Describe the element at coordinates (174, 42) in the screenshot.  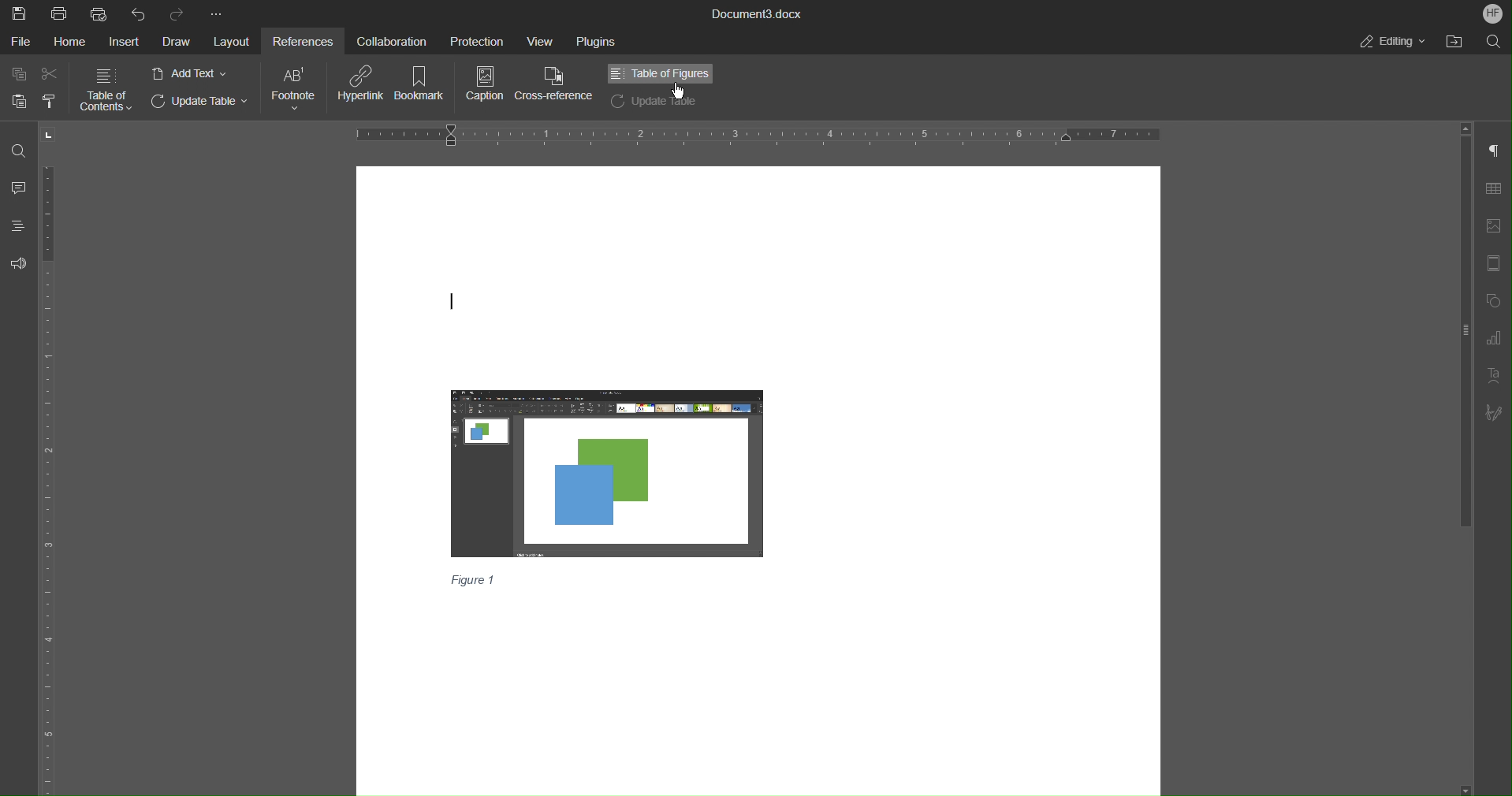
I see `Draw` at that location.